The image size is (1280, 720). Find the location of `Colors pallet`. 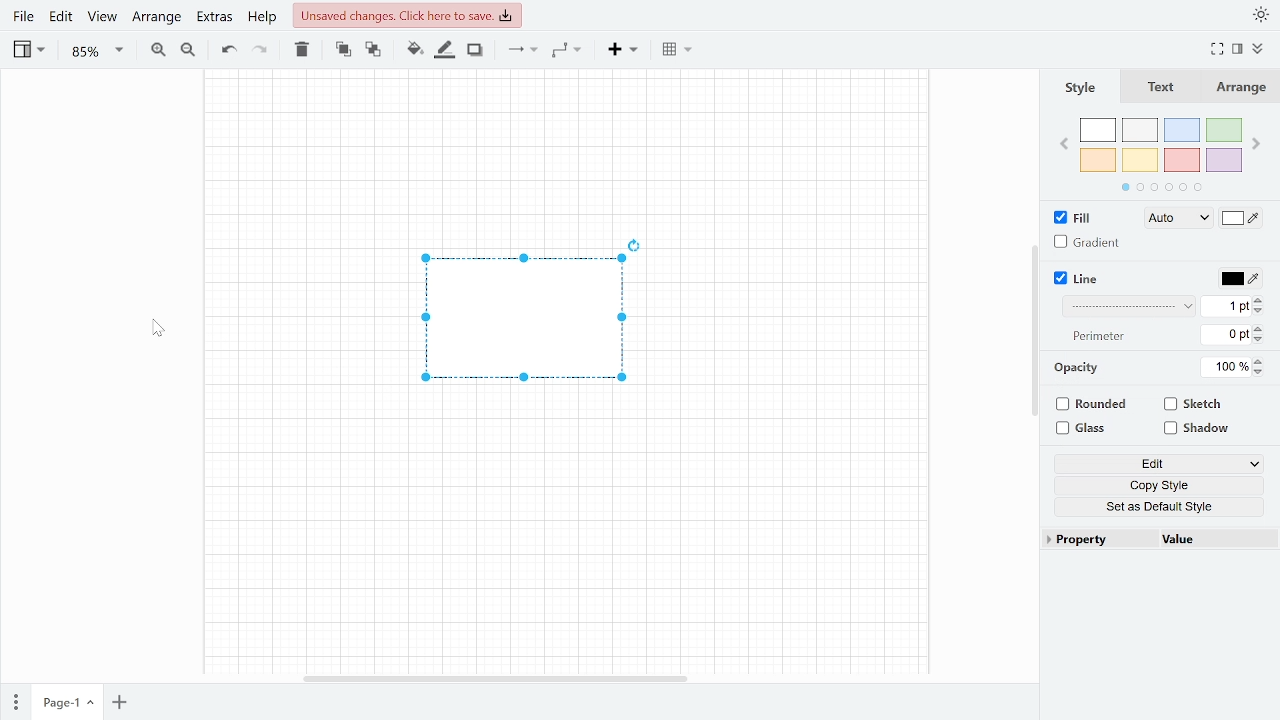

Colors pallet is located at coordinates (1164, 156).